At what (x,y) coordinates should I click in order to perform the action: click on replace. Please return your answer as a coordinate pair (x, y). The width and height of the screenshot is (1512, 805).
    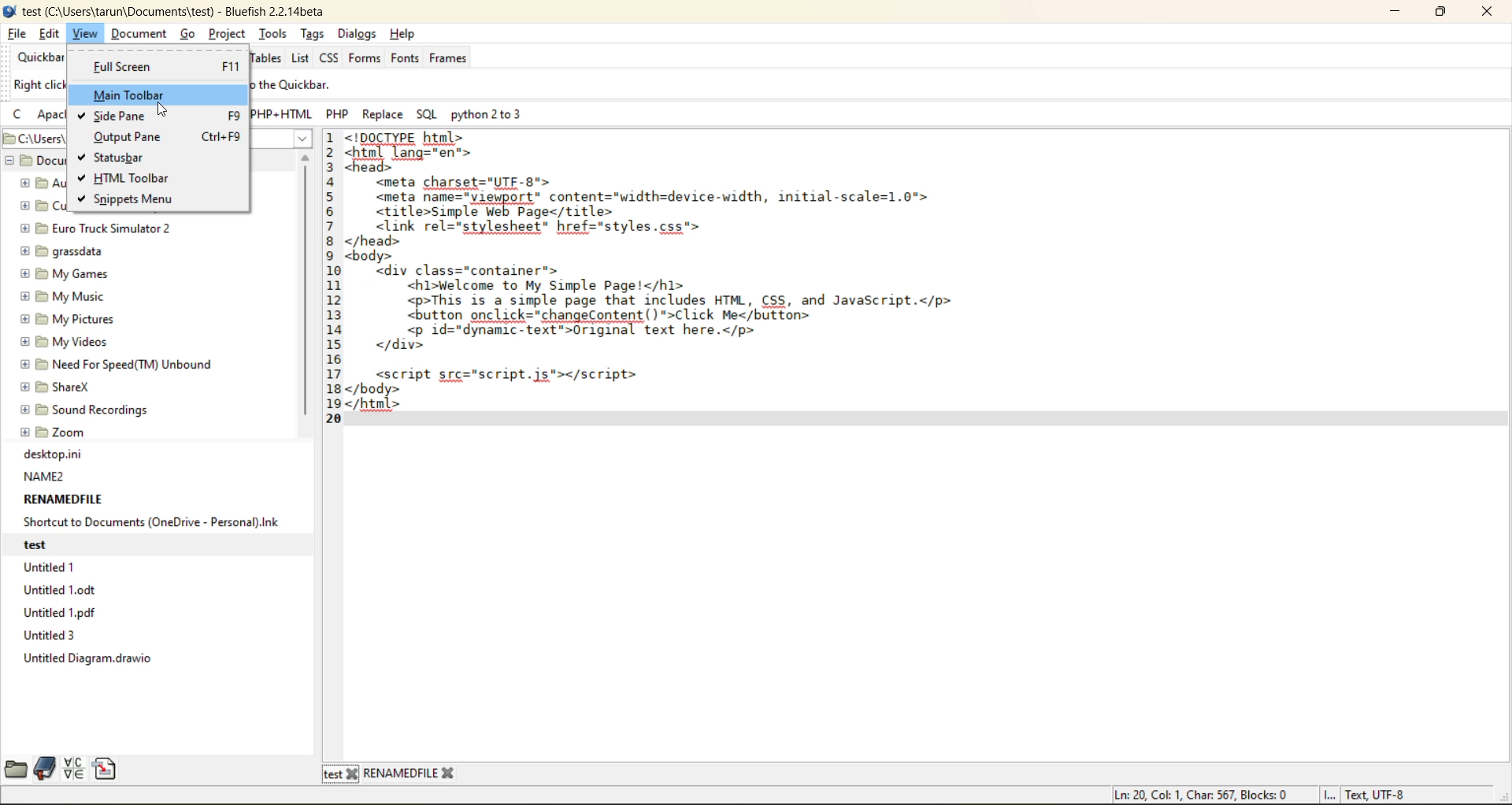
    Looking at the image, I should click on (384, 114).